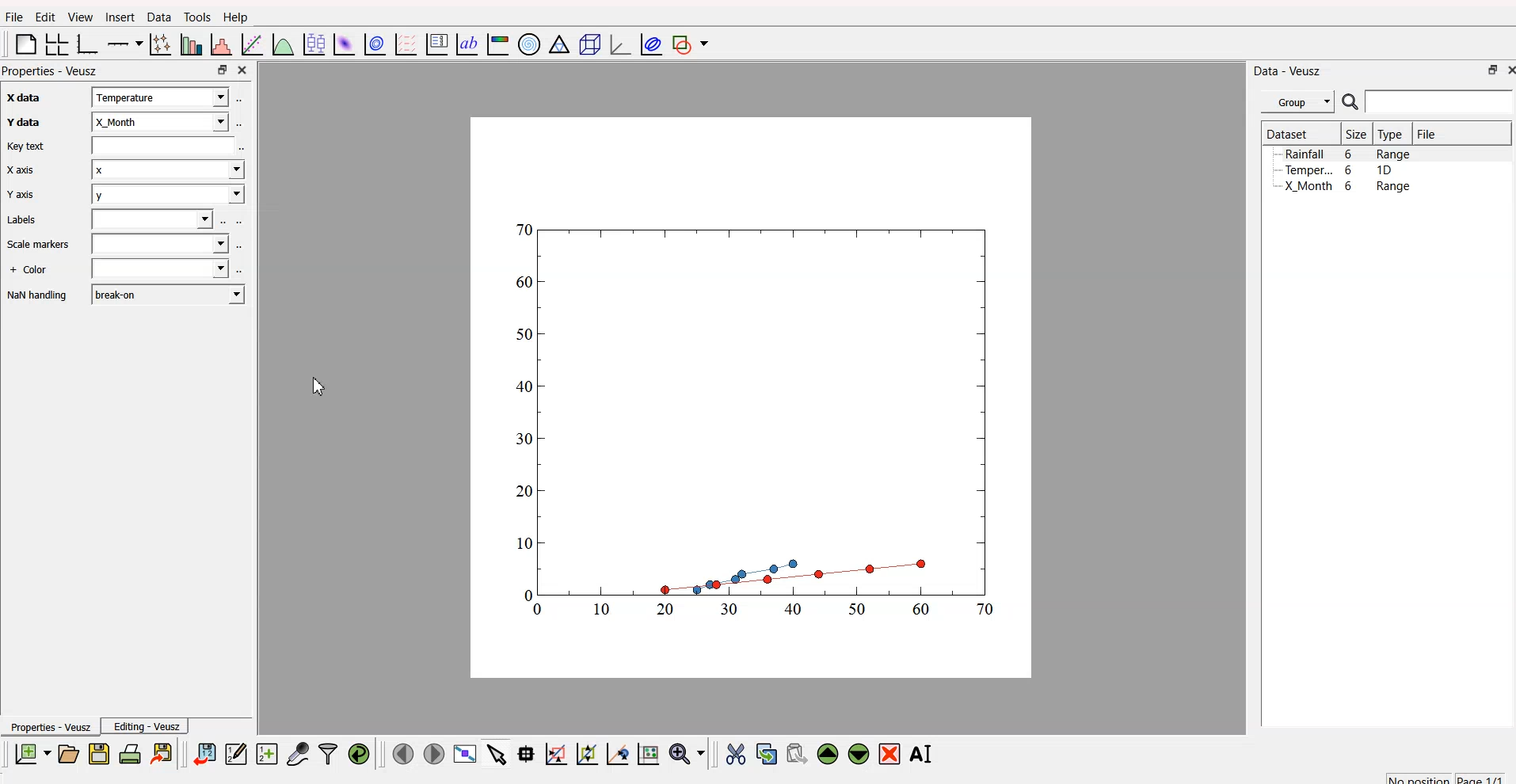 This screenshot has height=784, width=1516. What do you see at coordinates (1442, 104) in the screenshot?
I see `search bar` at bounding box center [1442, 104].